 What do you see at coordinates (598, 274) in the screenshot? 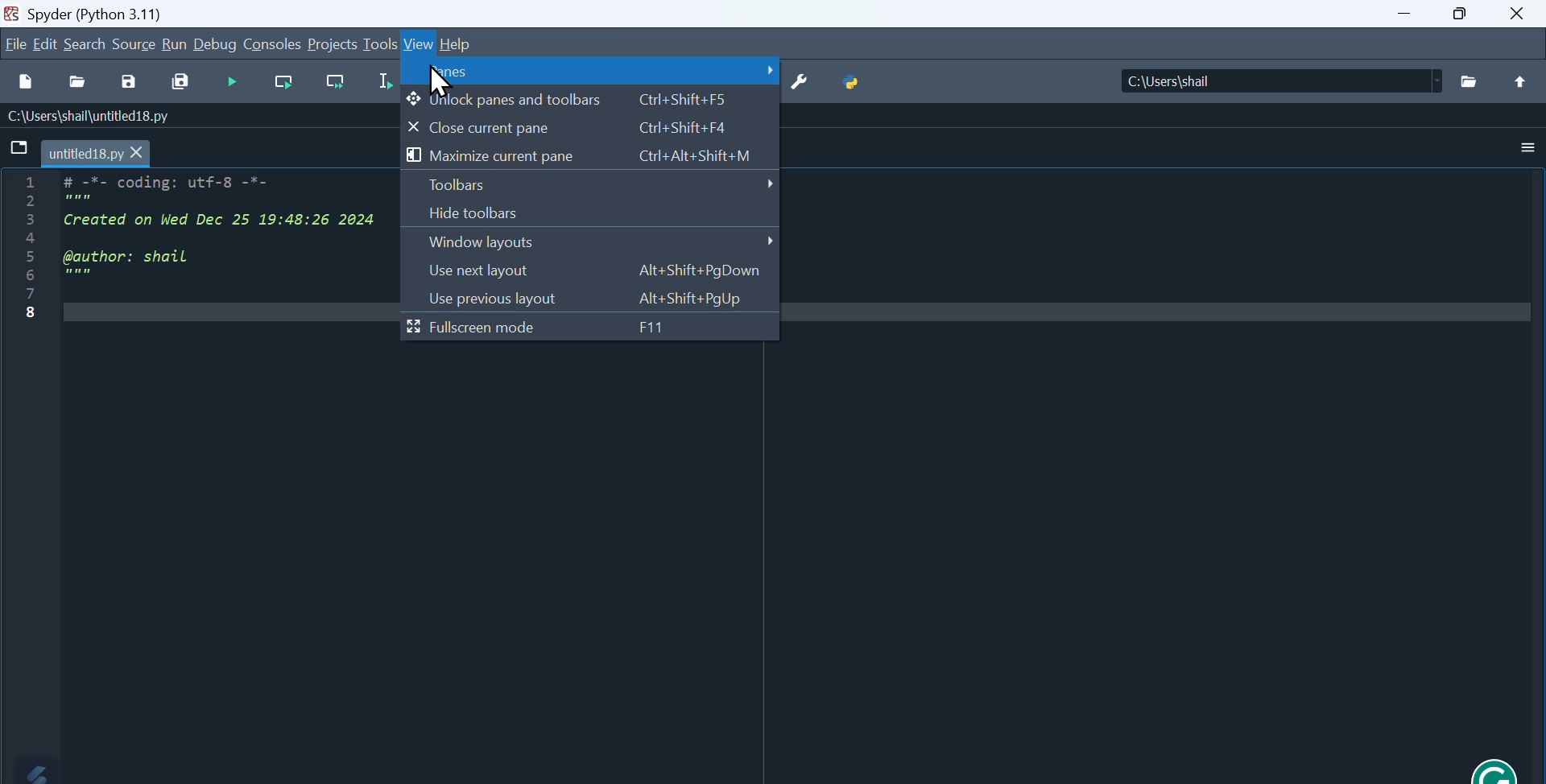
I see `User next layout` at bounding box center [598, 274].